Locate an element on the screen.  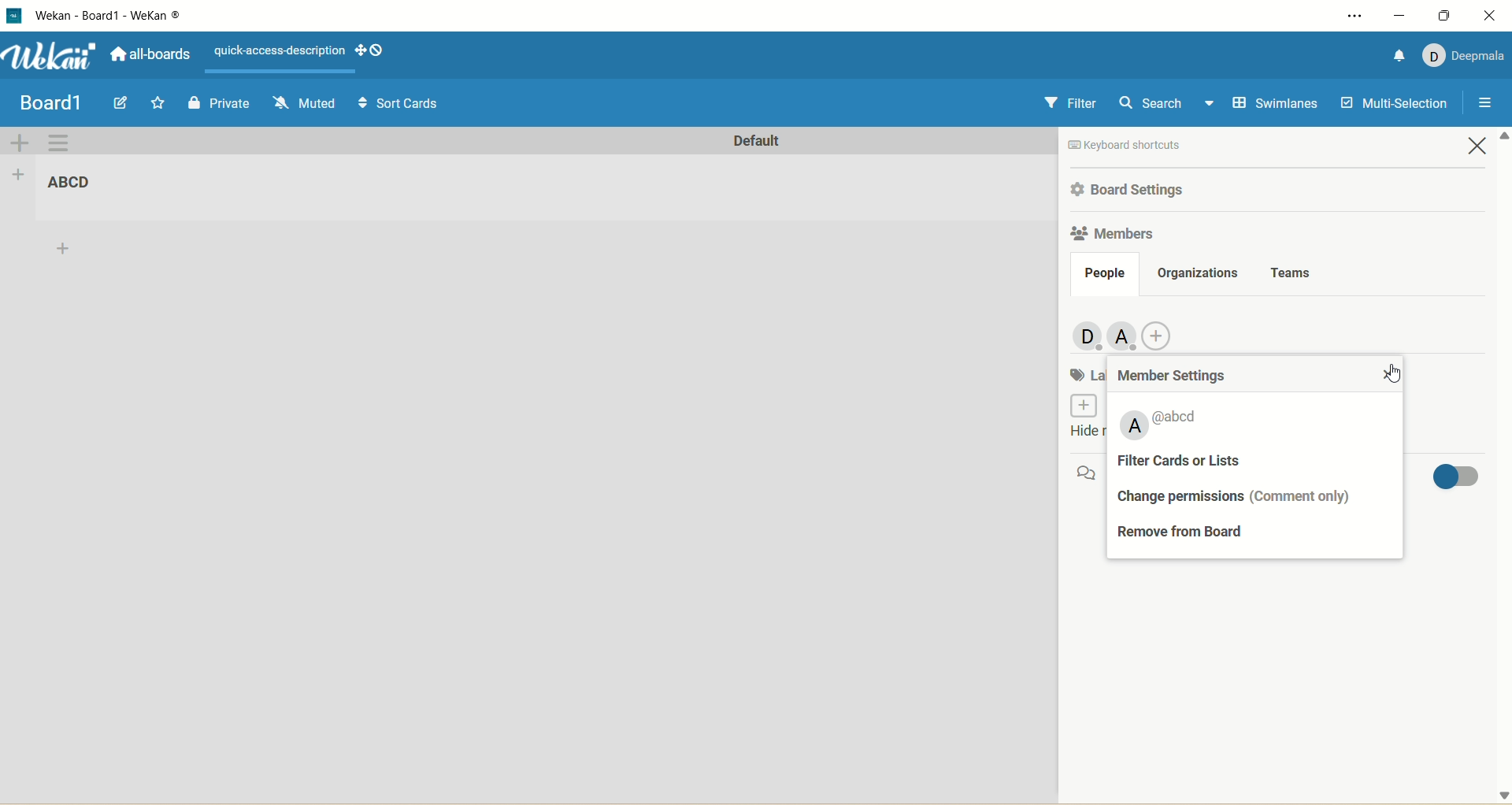
add swimlane is located at coordinates (20, 142).